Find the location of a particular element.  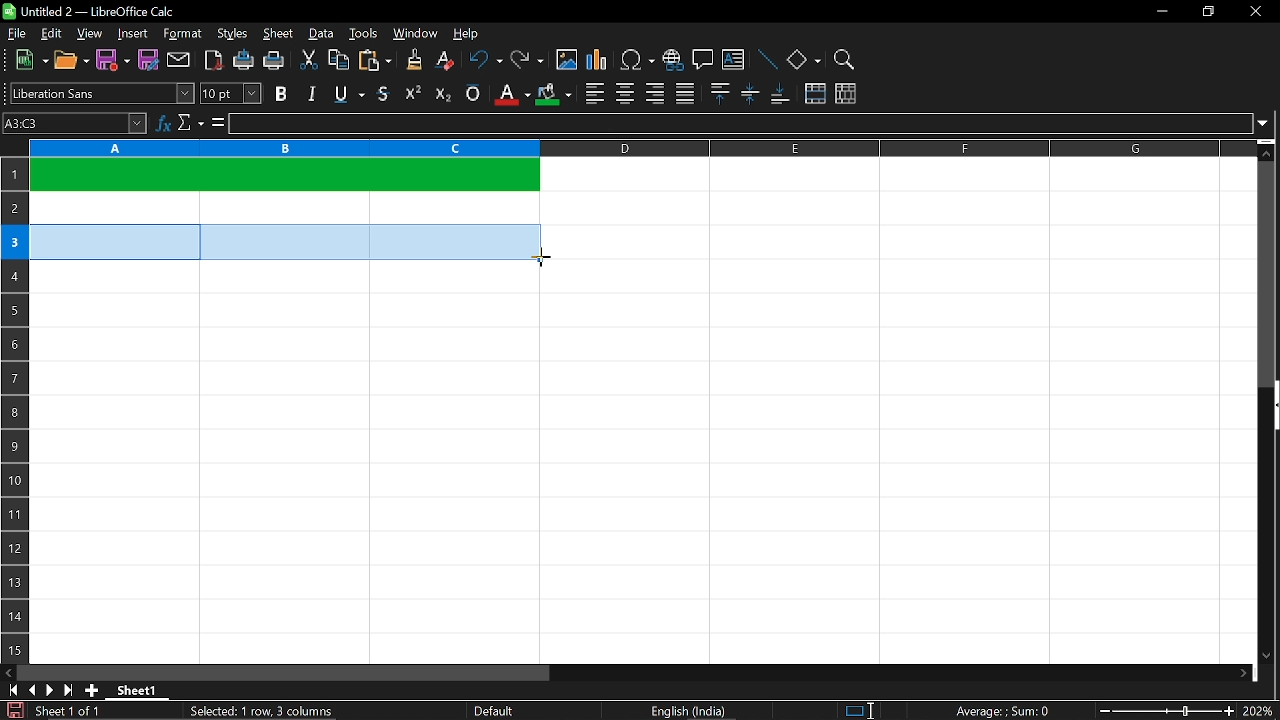

close is located at coordinates (1257, 12).